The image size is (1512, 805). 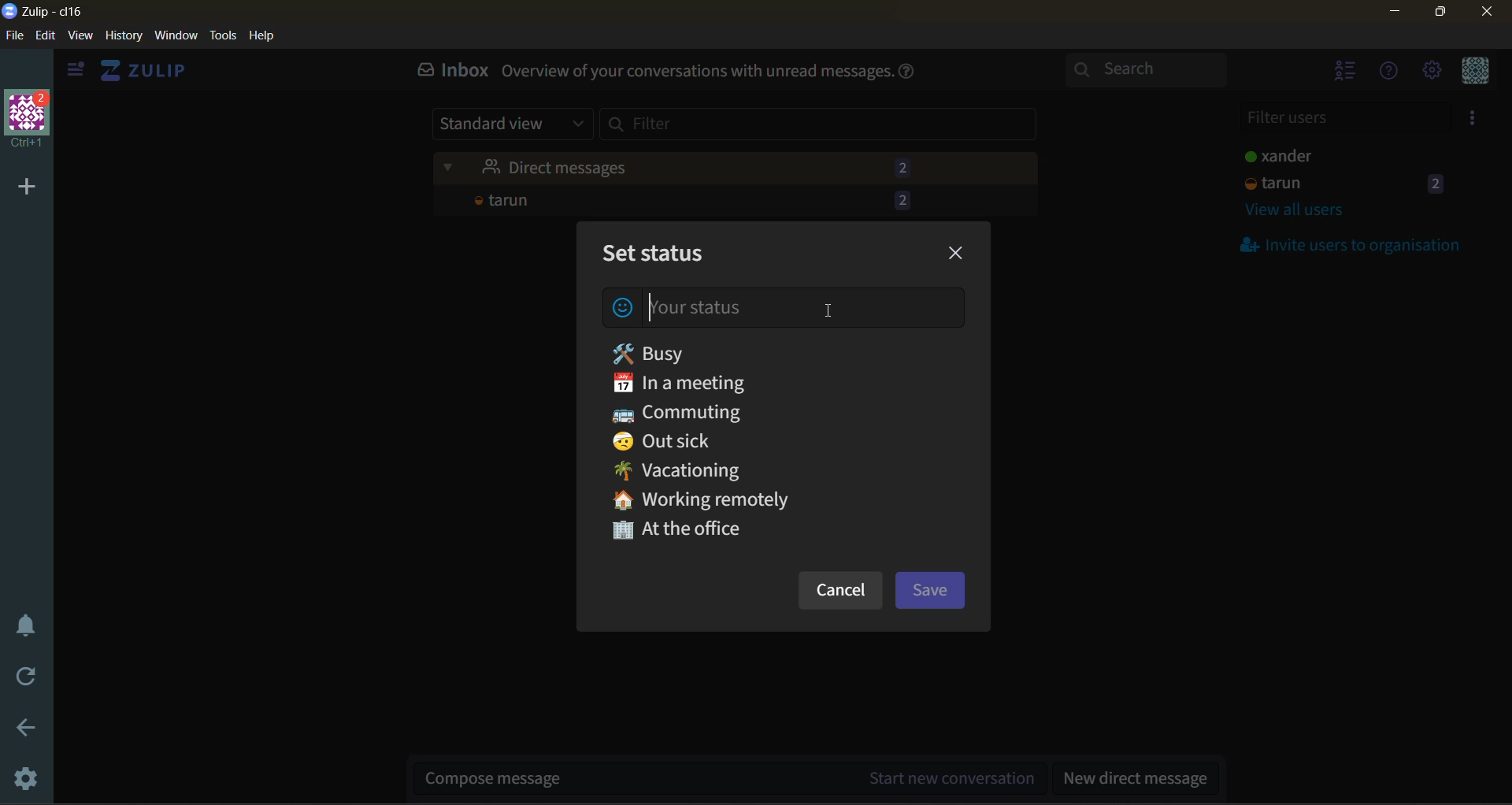 I want to click on organisation name and profile picture, so click(x=24, y=122).